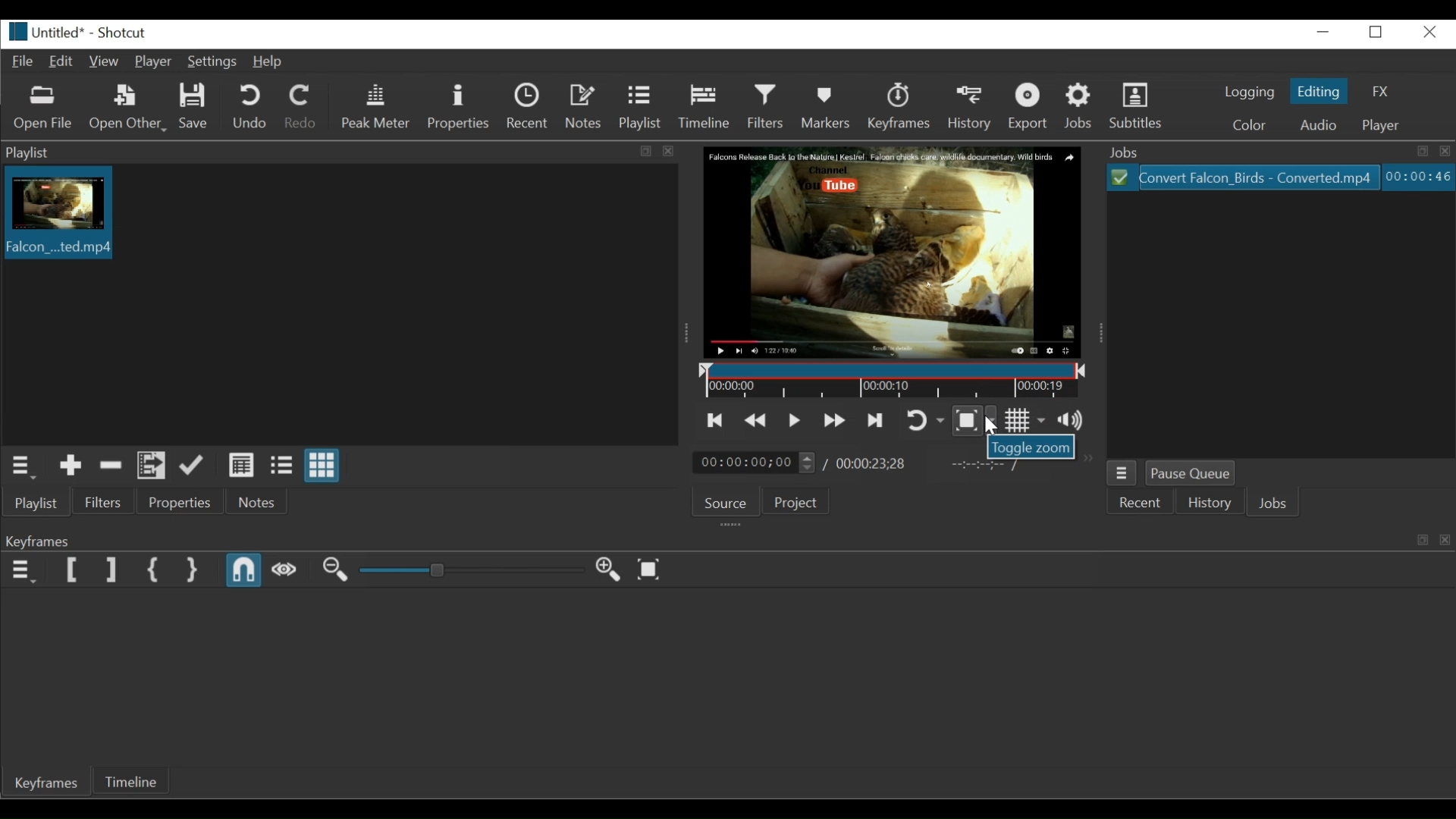 The height and width of the screenshot is (819, 1456). I want to click on Media Viewer, so click(891, 252).